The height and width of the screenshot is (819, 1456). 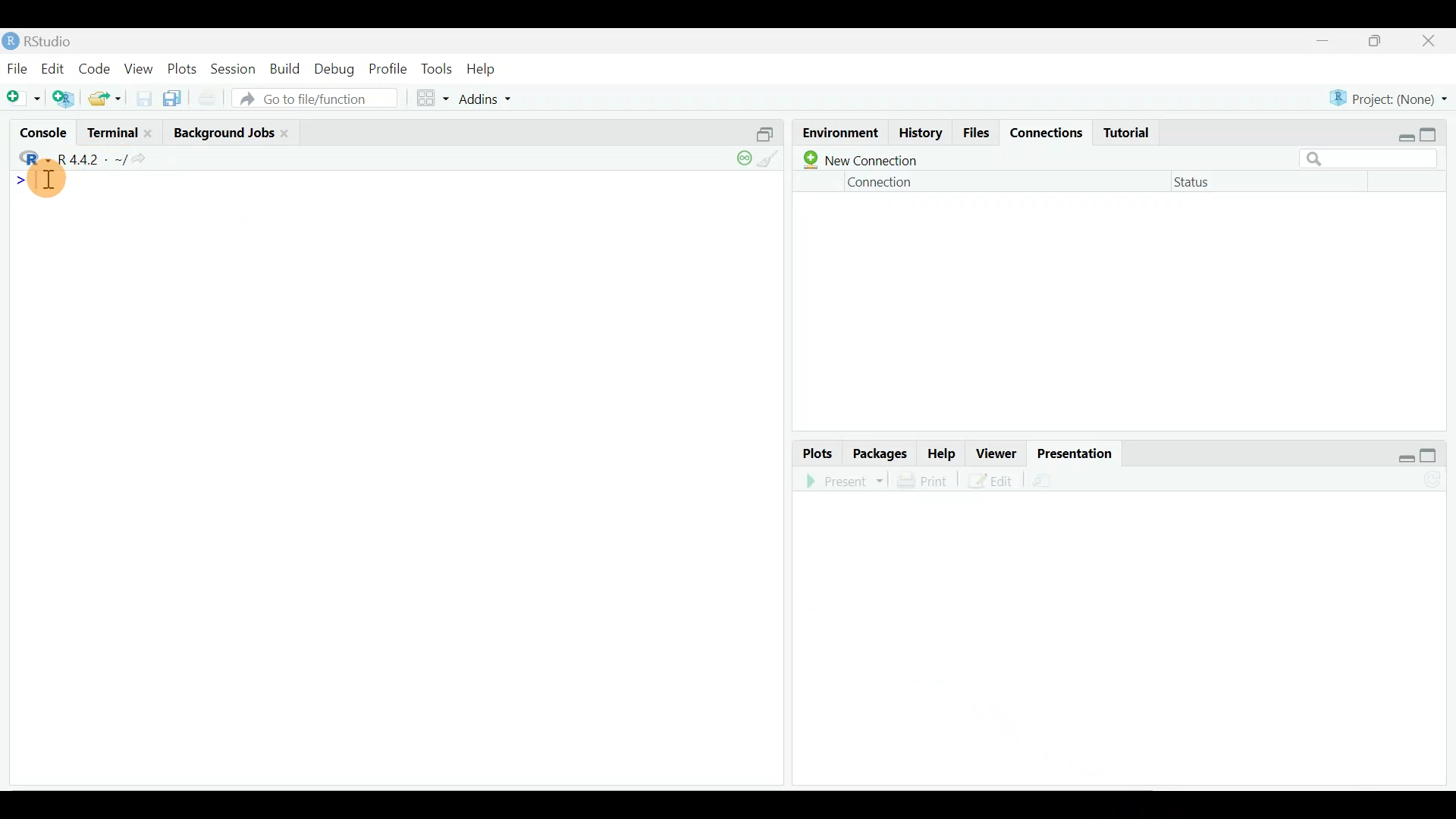 I want to click on Connection, so click(x=878, y=185).